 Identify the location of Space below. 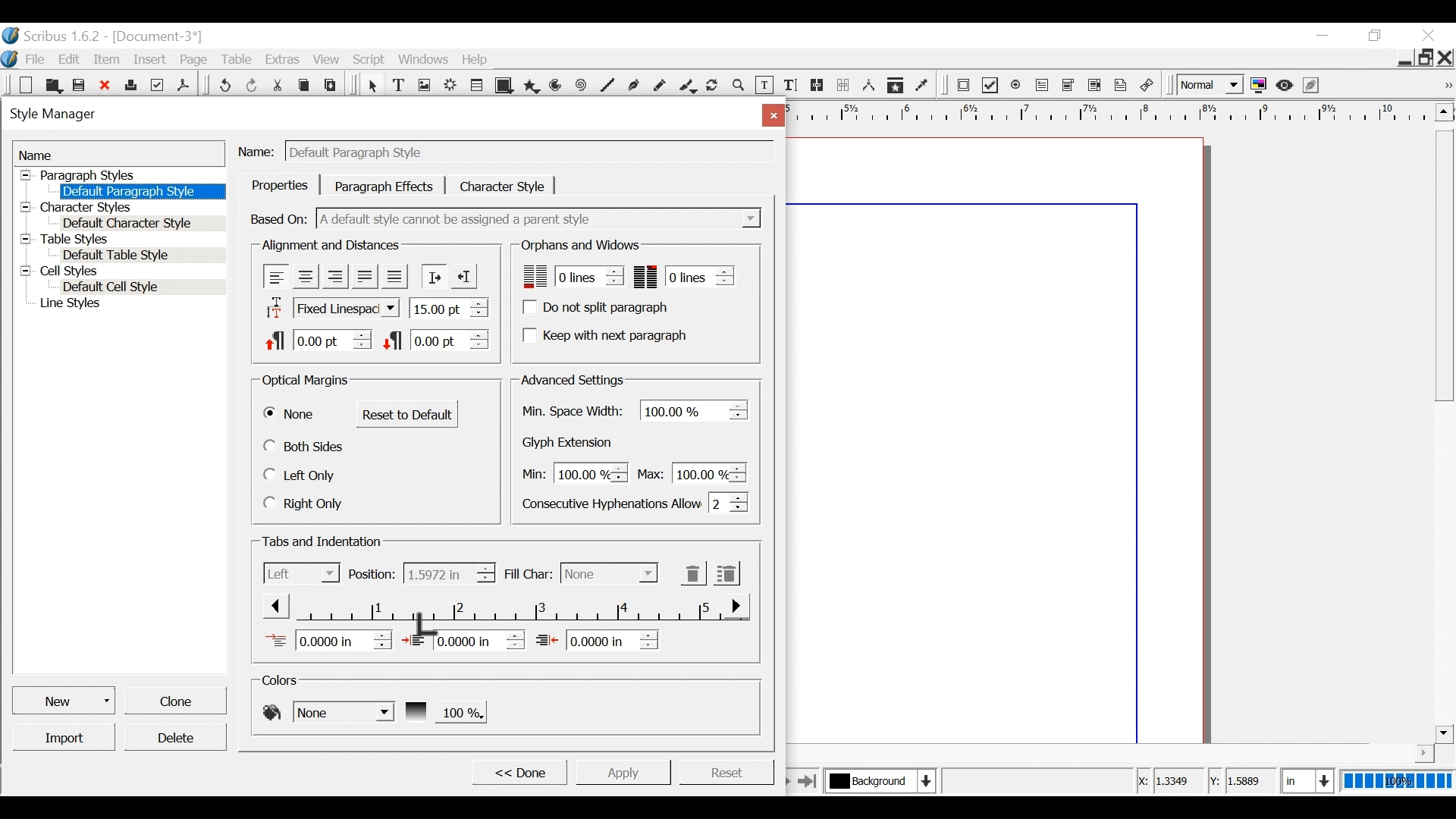
(435, 339).